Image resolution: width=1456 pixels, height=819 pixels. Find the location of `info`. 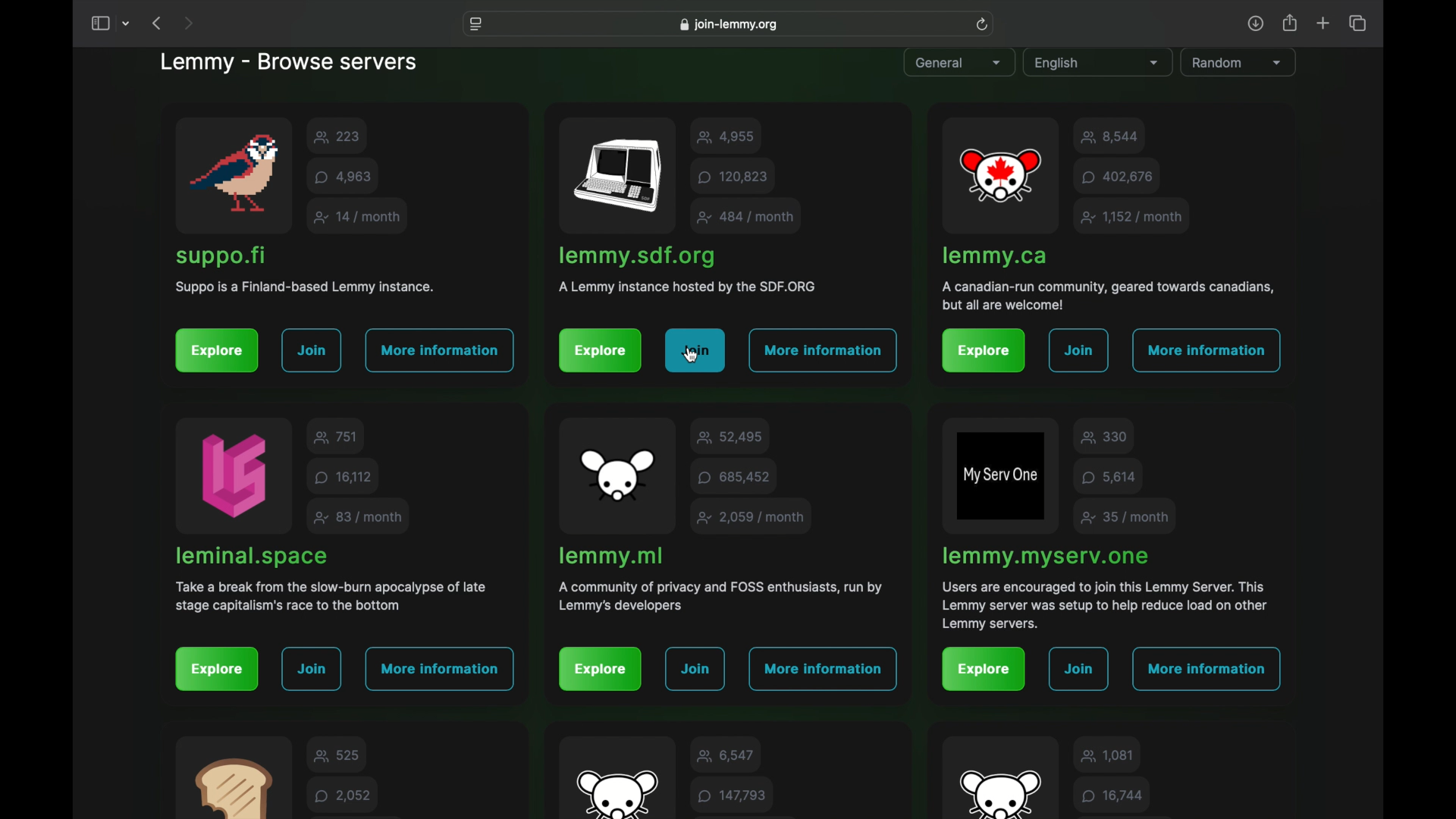

info is located at coordinates (686, 287).